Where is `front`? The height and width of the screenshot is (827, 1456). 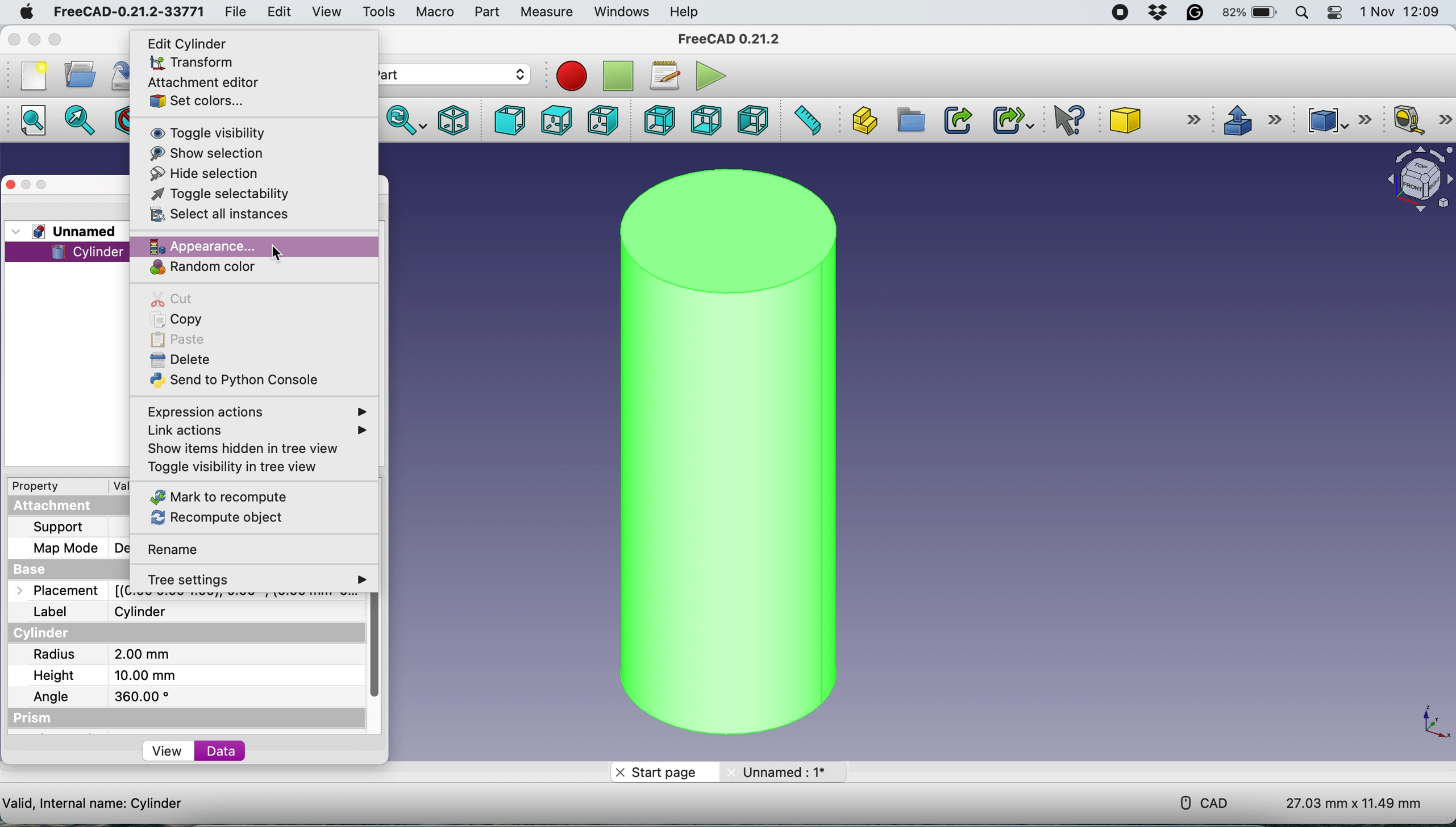
front is located at coordinates (507, 119).